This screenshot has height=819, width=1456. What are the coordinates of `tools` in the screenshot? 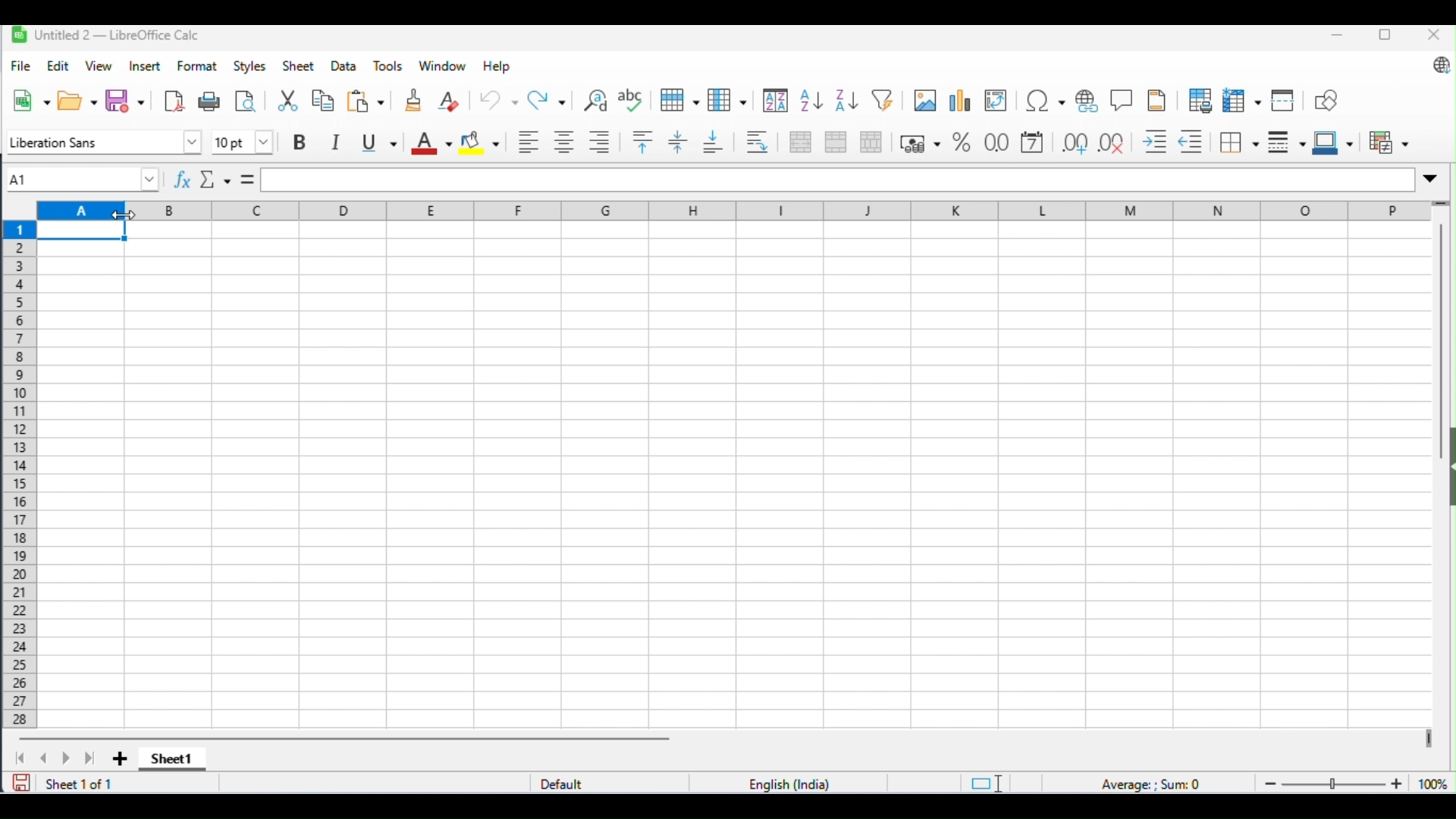 It's located at (390, 67).